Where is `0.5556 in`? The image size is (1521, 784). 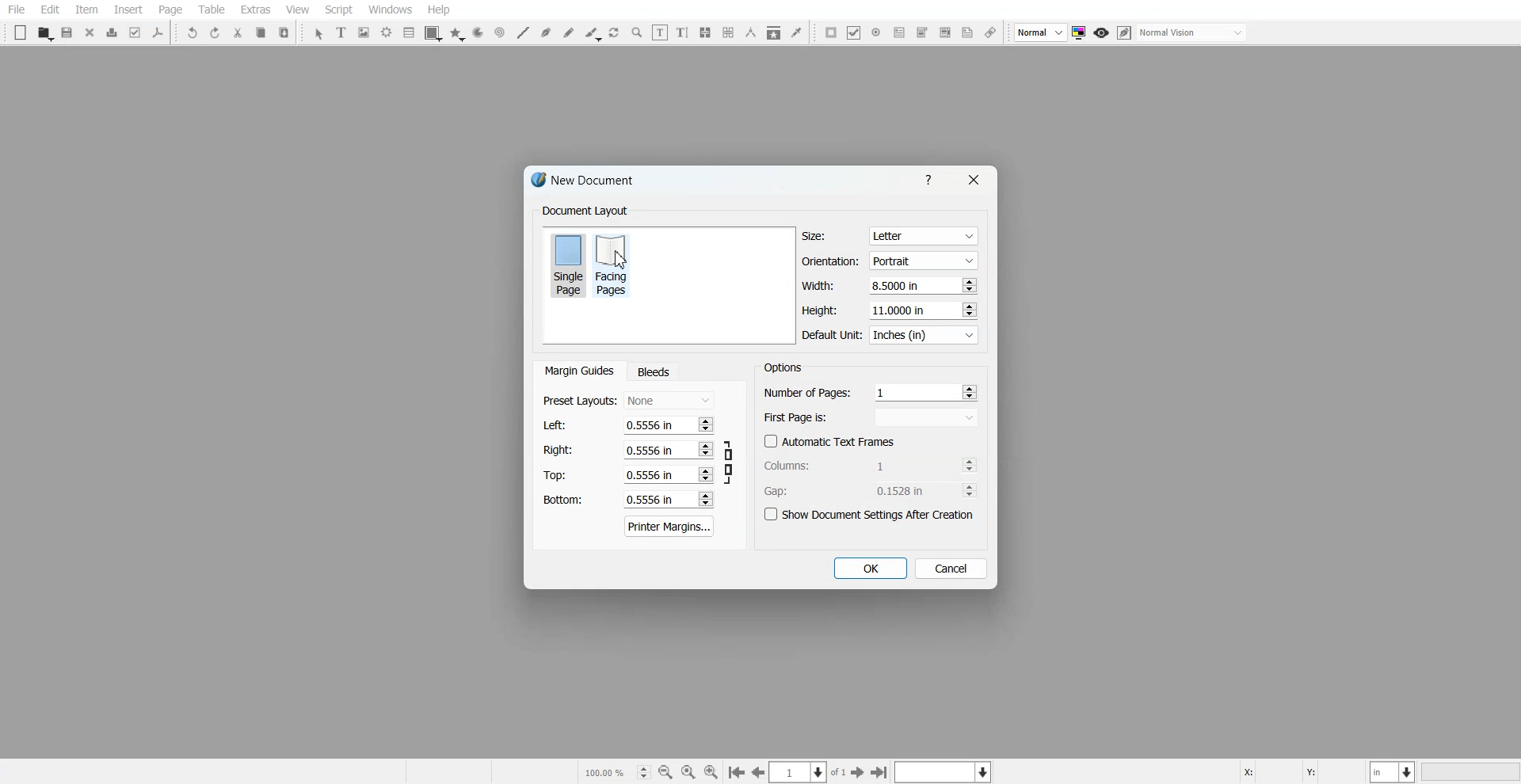 0.5556 in is located at coordinates (649, 424).